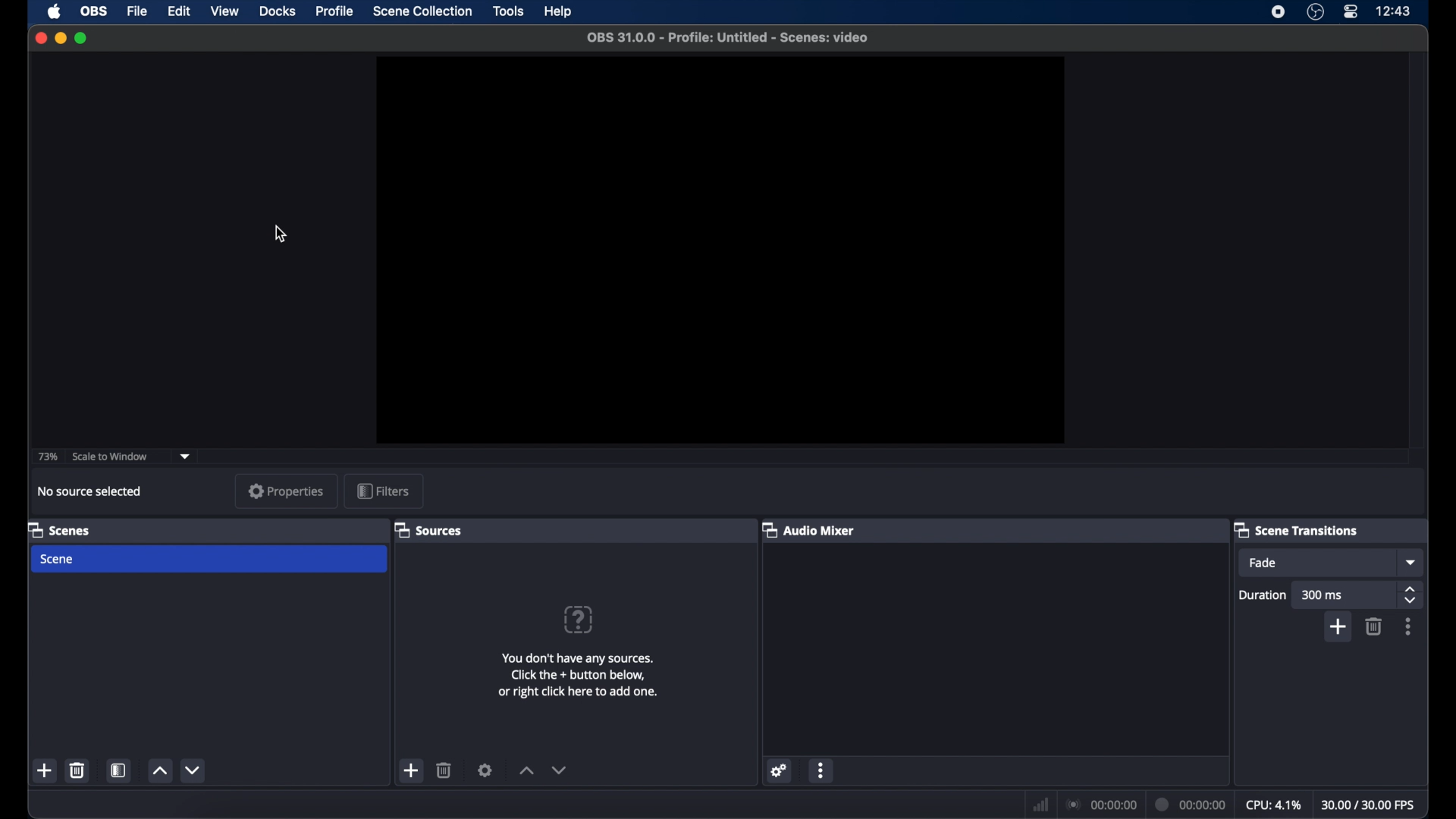 The width and height of the screenshot is (1456, 819). I want to click on dropdown, so click(1332, 562).